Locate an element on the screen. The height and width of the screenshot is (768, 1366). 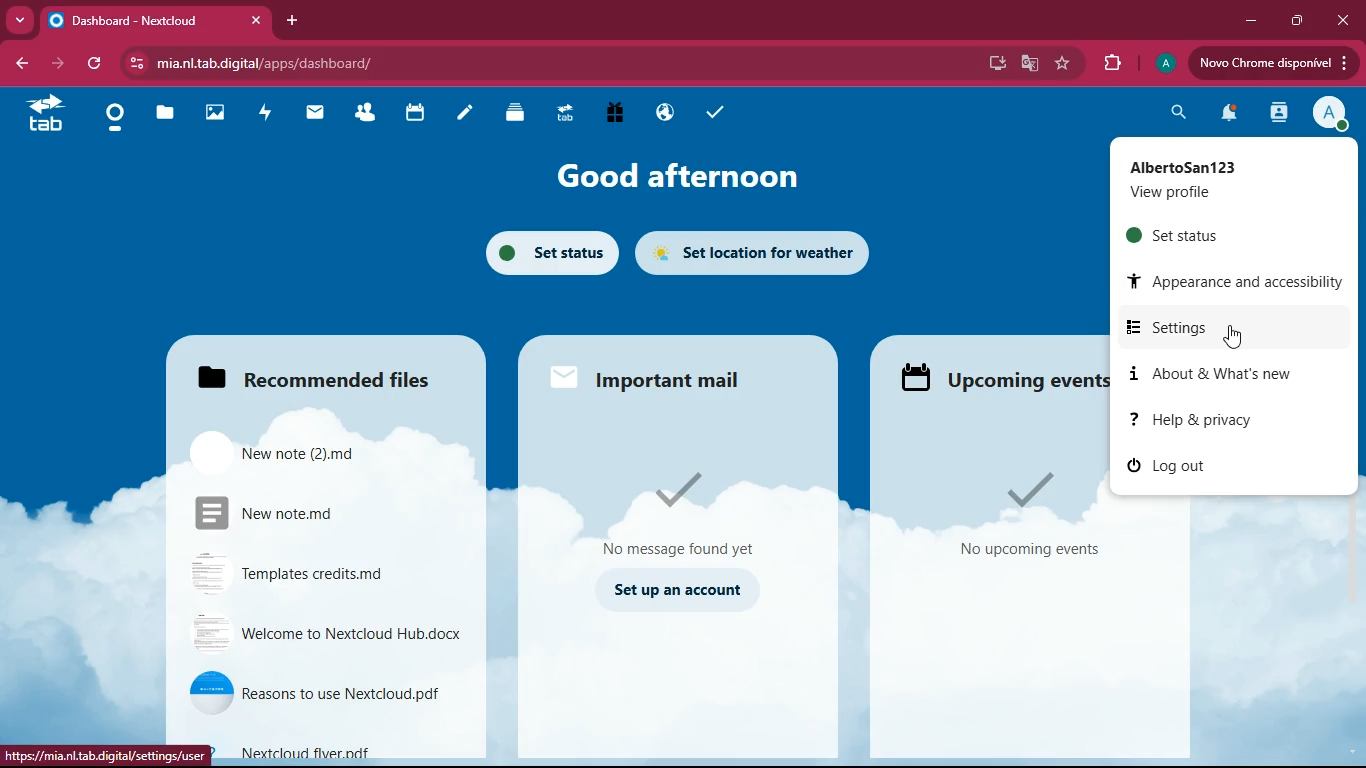
activity is located at coordinates (1279, 116).